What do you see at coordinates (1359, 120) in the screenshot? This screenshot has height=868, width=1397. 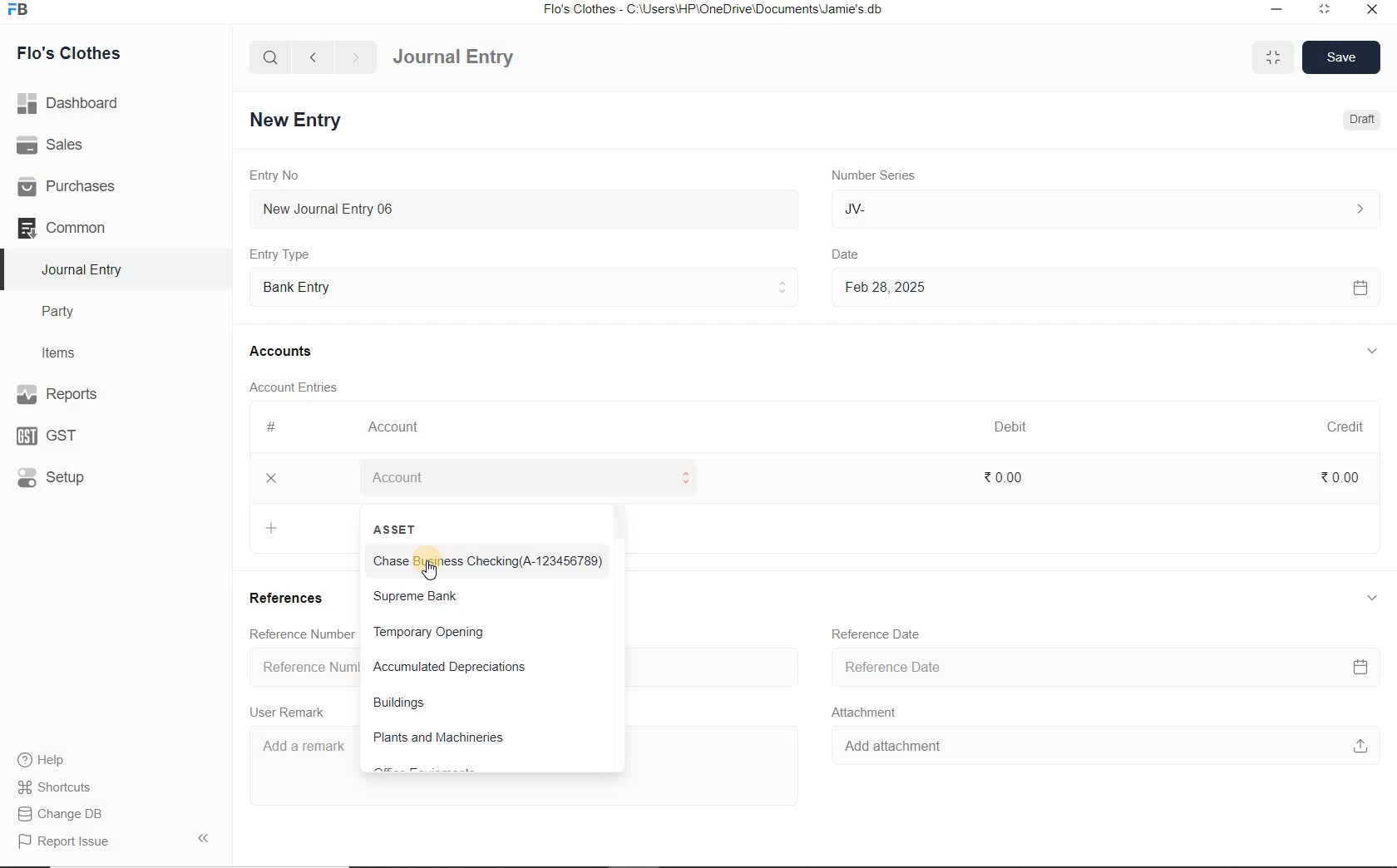 I see `Draft` at bounding box center [1359, 120].